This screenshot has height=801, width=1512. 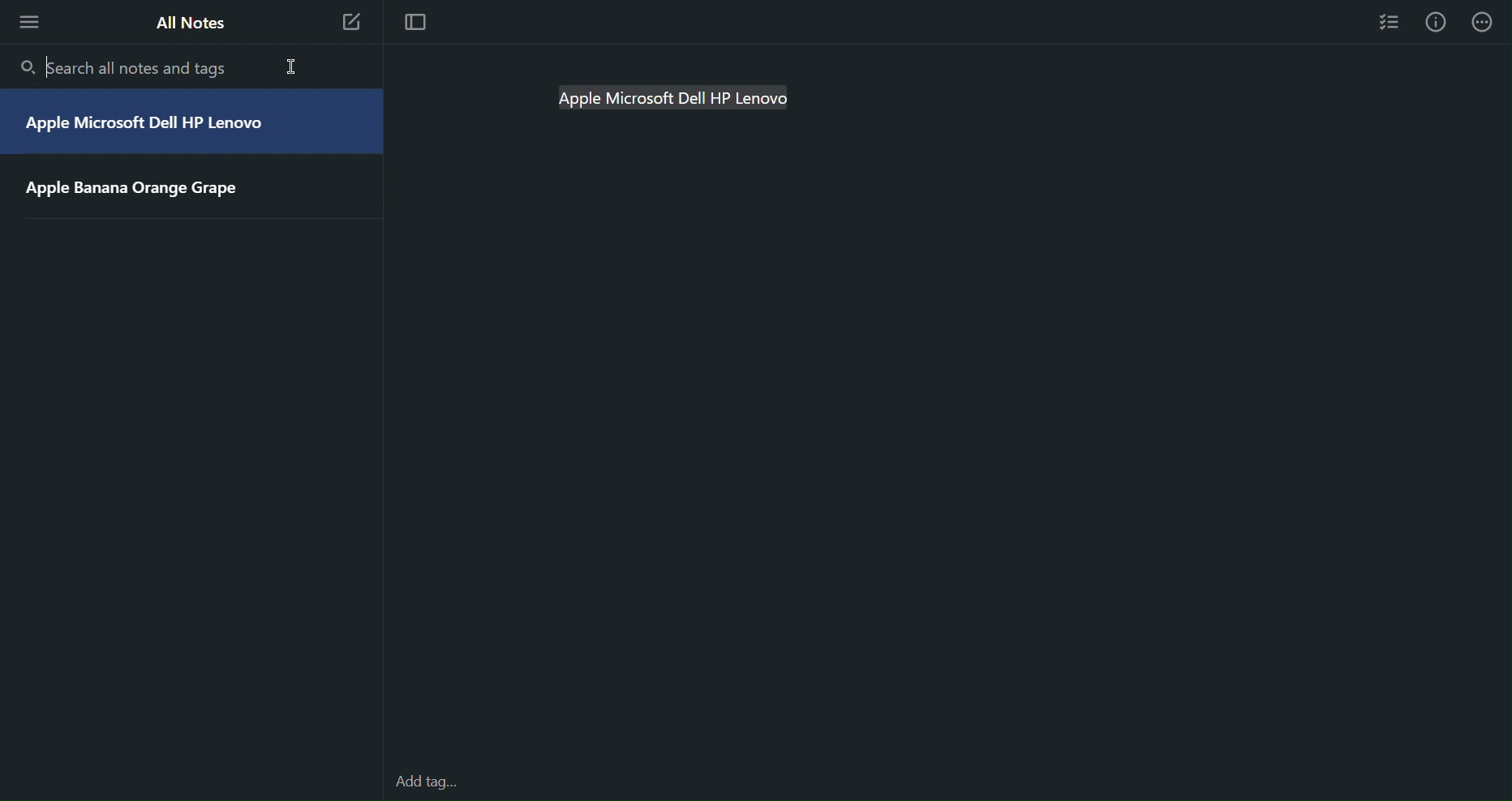 I want to click on More, so click(x=1488, y=23).